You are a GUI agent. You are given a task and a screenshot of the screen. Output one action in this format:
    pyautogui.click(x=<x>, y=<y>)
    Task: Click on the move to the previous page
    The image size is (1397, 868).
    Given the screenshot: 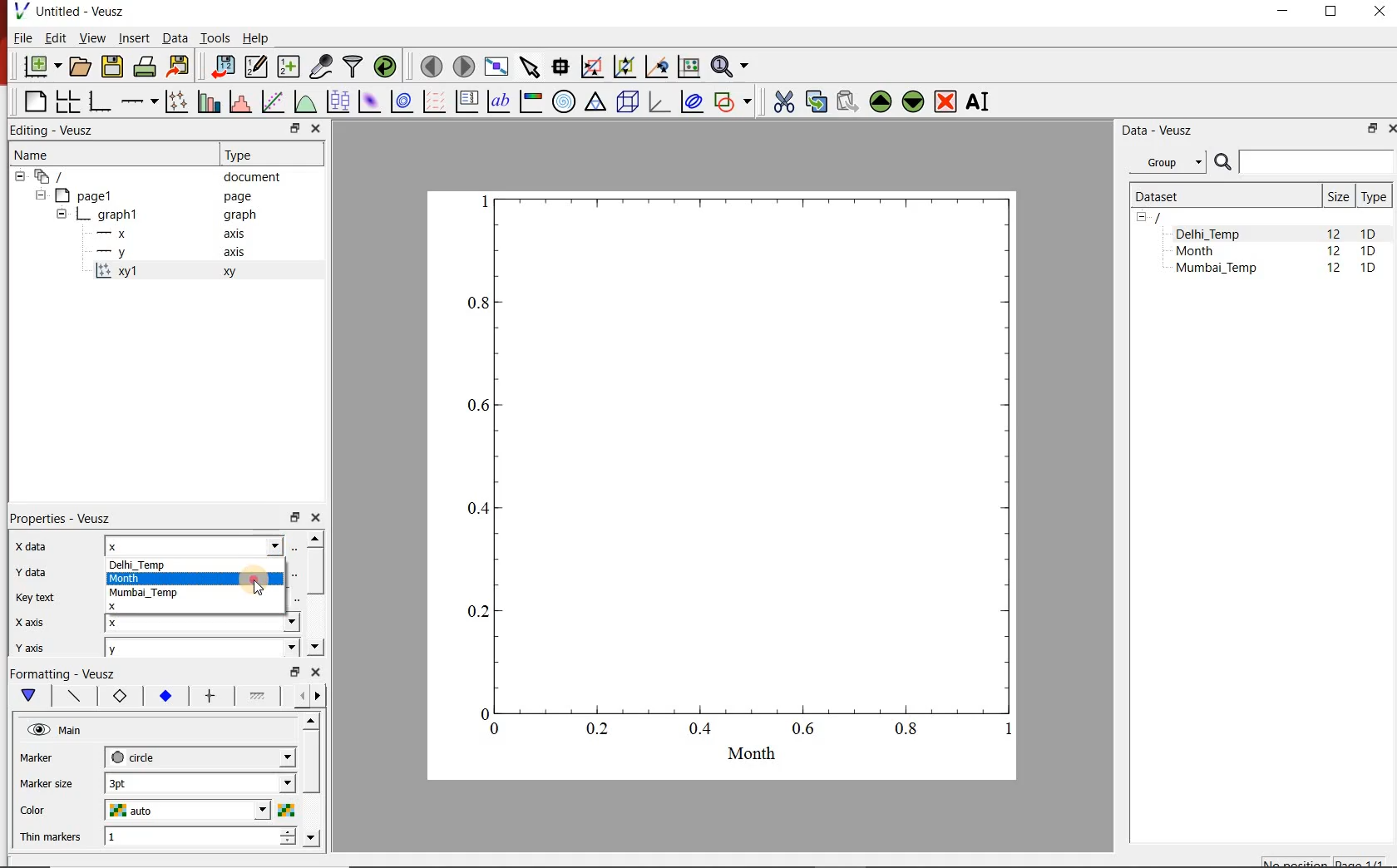 What is the action you would take?
    pyautogui.click(x=431, y=66)
    